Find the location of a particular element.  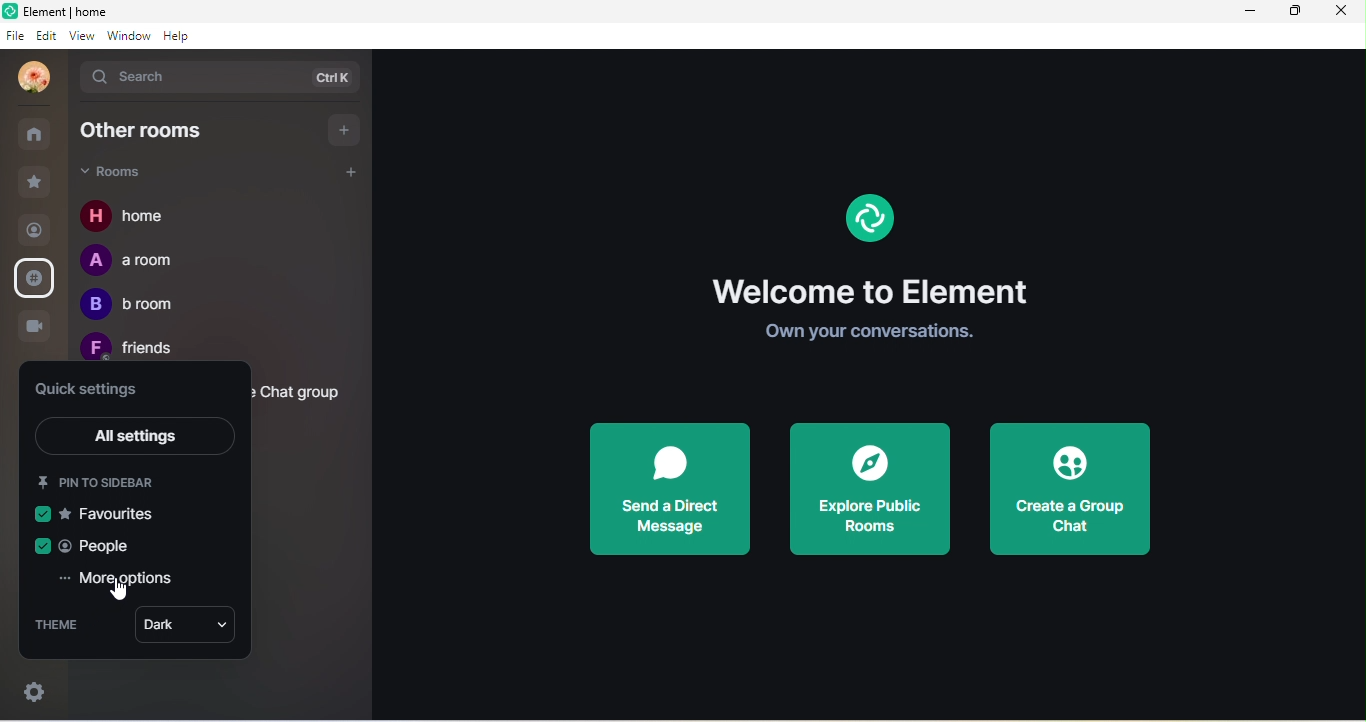

all rooms is located at coordinates (35, 134).